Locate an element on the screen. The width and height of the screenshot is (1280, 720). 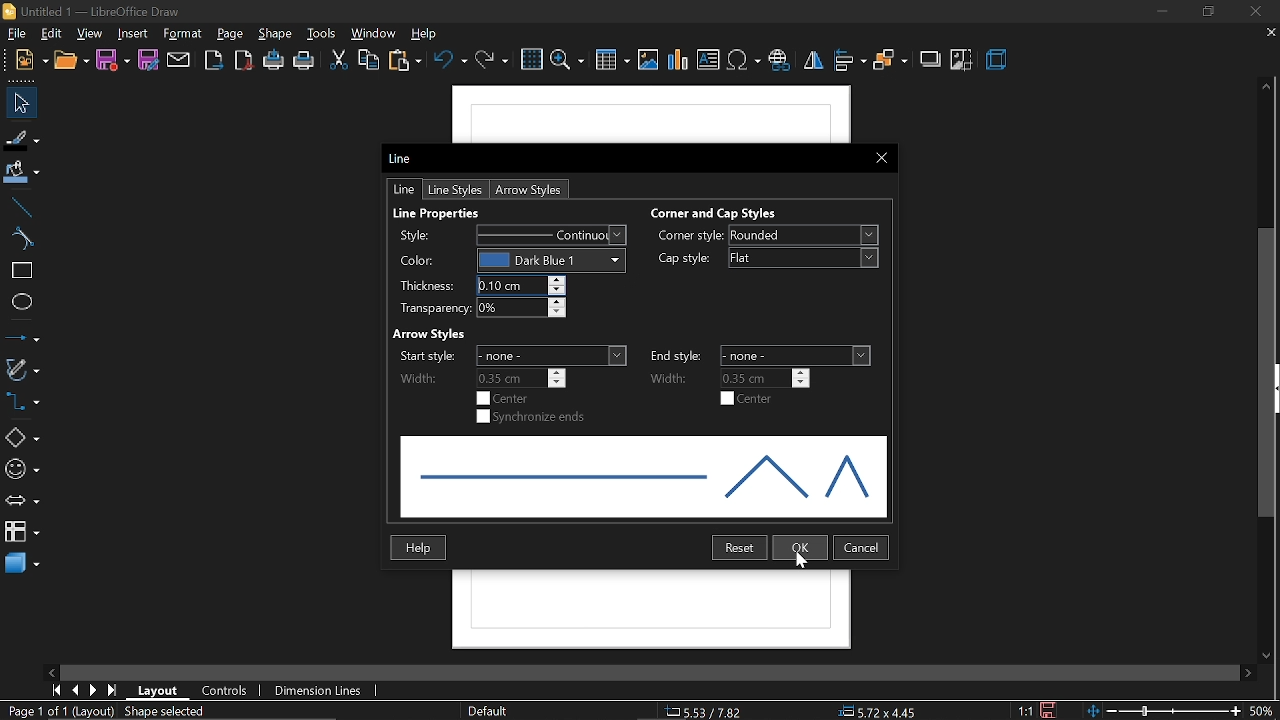
export as pdf is located at coordinates (245, 63).